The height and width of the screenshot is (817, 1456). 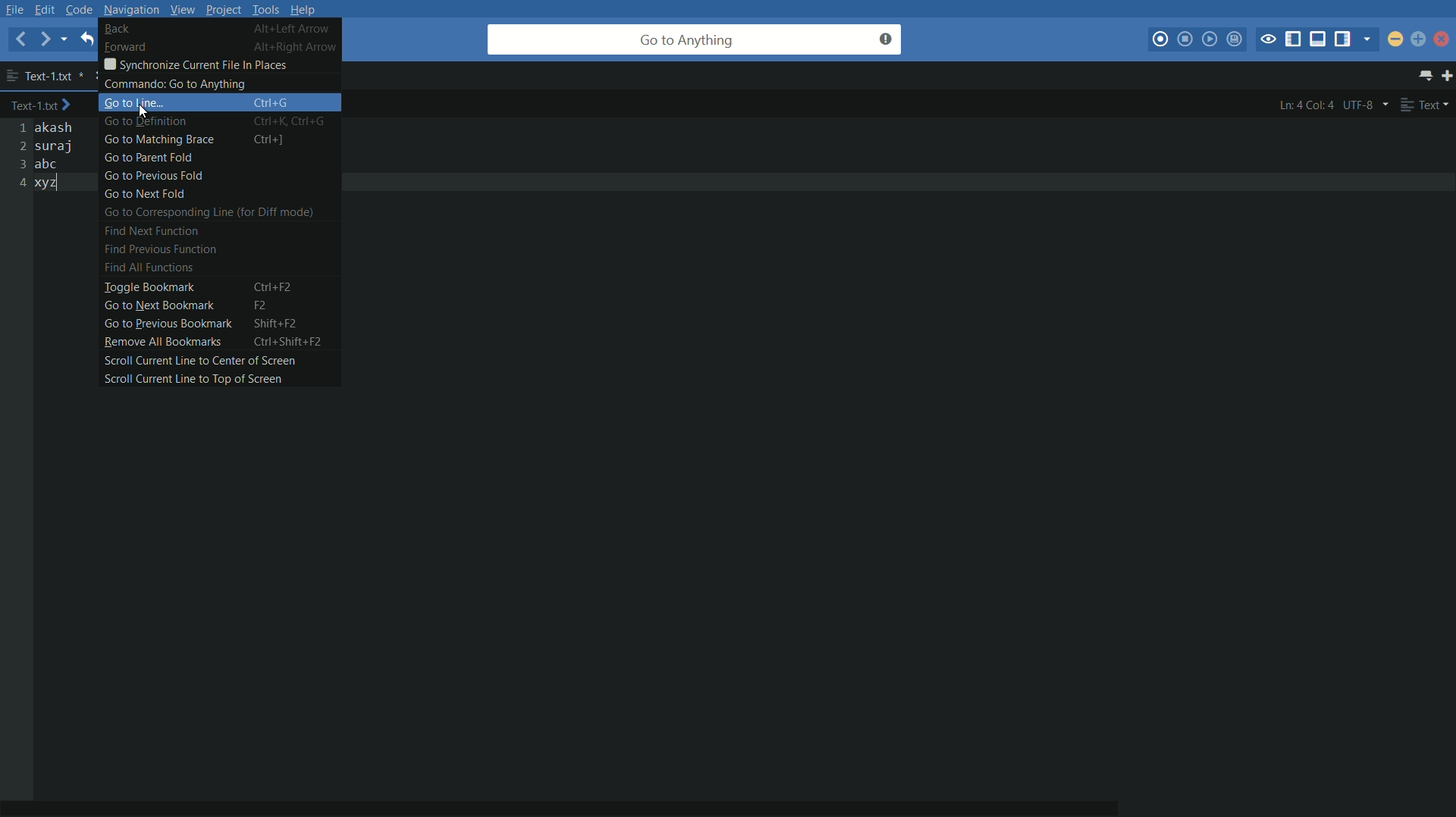 What do you see at coordinates (1427, 77) in the screenshot?
I see `show all tabs` at bounding box center [1427, 77].